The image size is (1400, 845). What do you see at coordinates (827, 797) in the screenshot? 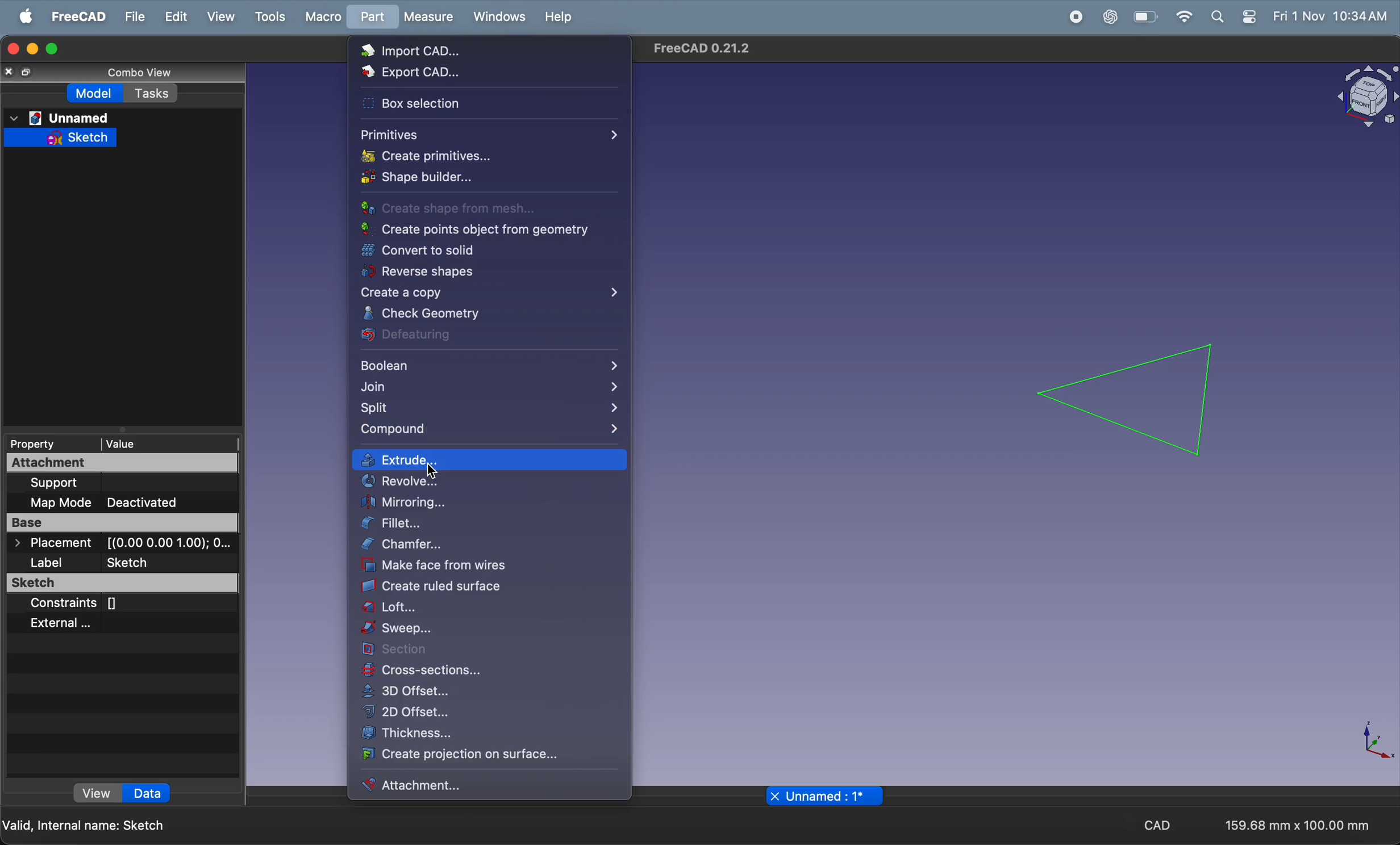
I see `Unnamed: 1*` at bounding box center [827, 797].